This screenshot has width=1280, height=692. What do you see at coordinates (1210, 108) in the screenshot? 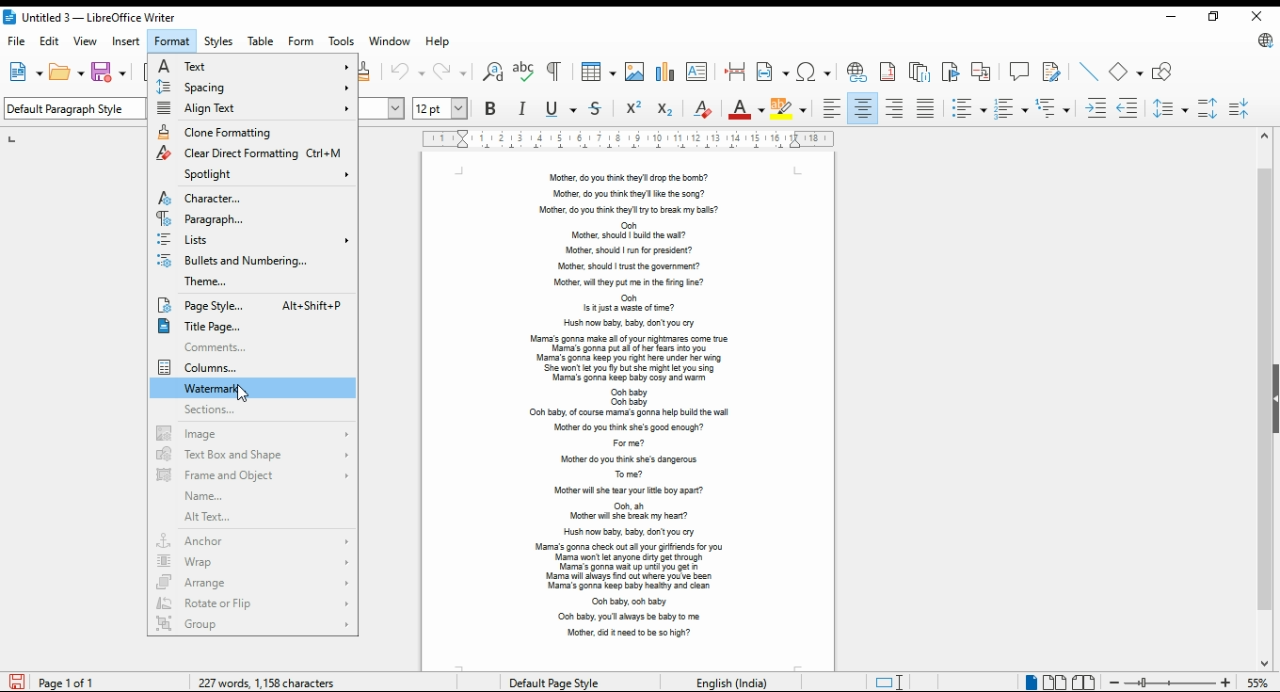
I see `increase paragraph spacing` at bounding box center [1210, 108].